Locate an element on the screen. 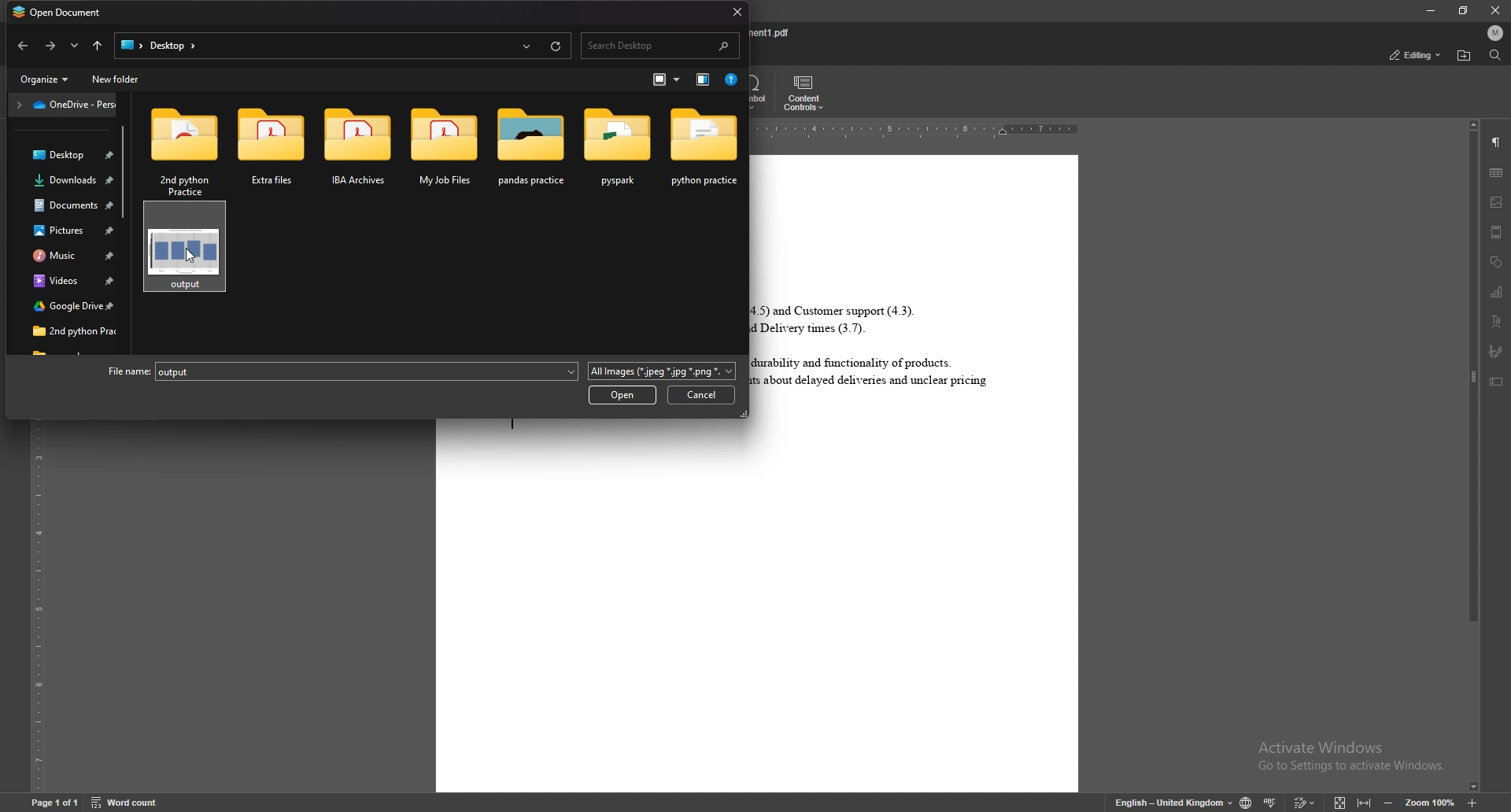 The width and height of the screenshot is (1511, 812). go to parent directory is located at coordinates (94, 45).